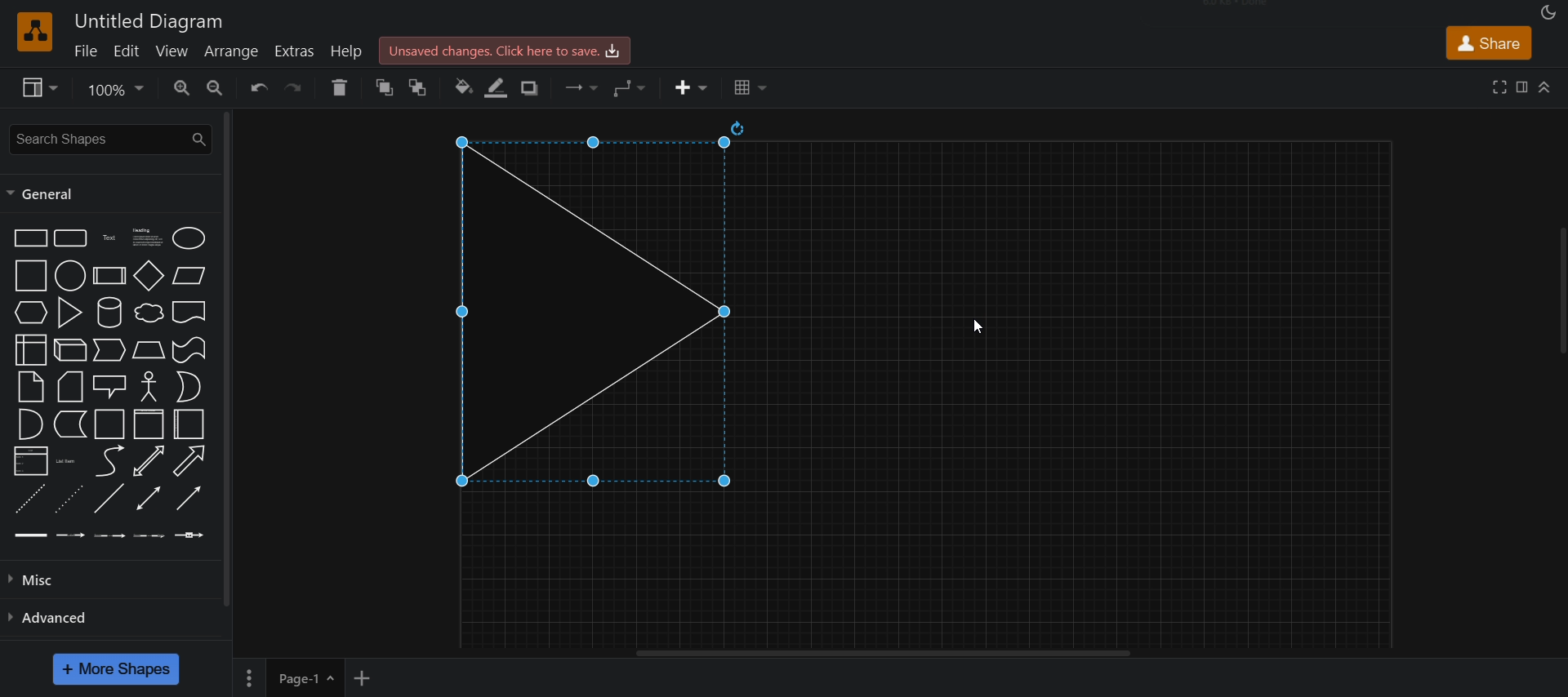  I want to click on directional arrow, so click(189, 461).